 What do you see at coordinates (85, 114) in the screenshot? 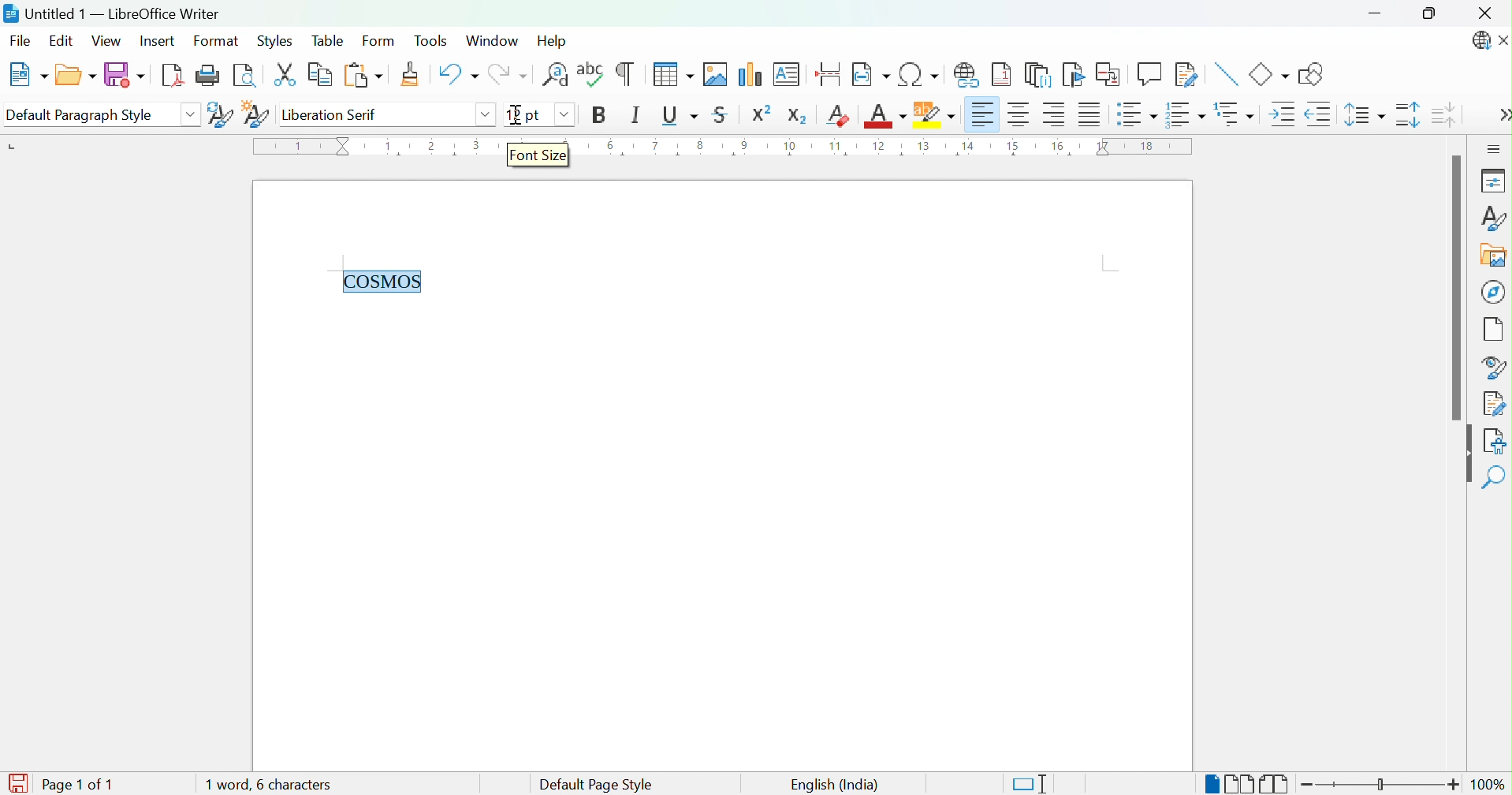
I see `Default Paragraph Style` at bounding box center [85, 114].